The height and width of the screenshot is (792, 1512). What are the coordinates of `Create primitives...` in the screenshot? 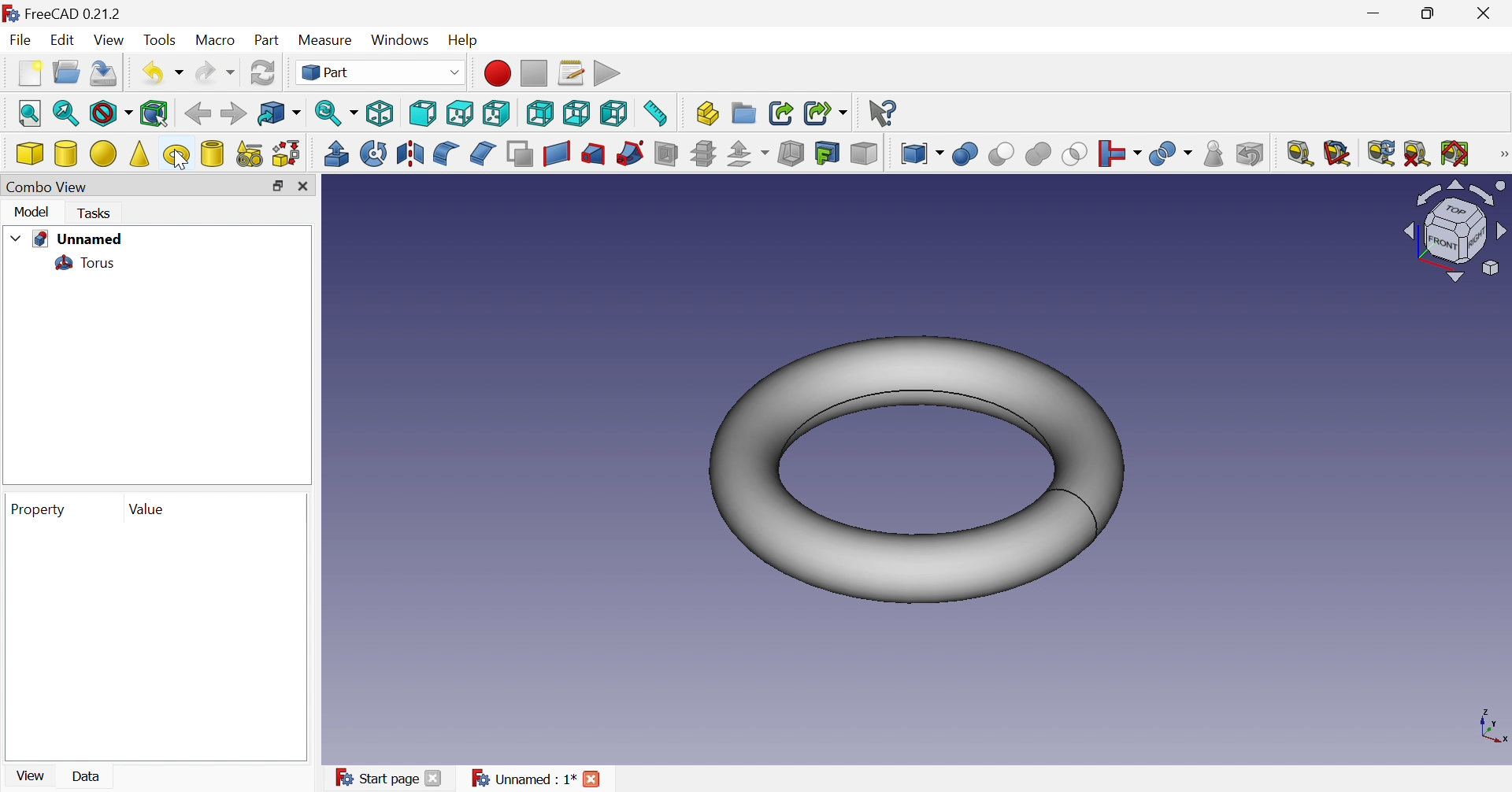 It's located at (249, 154).